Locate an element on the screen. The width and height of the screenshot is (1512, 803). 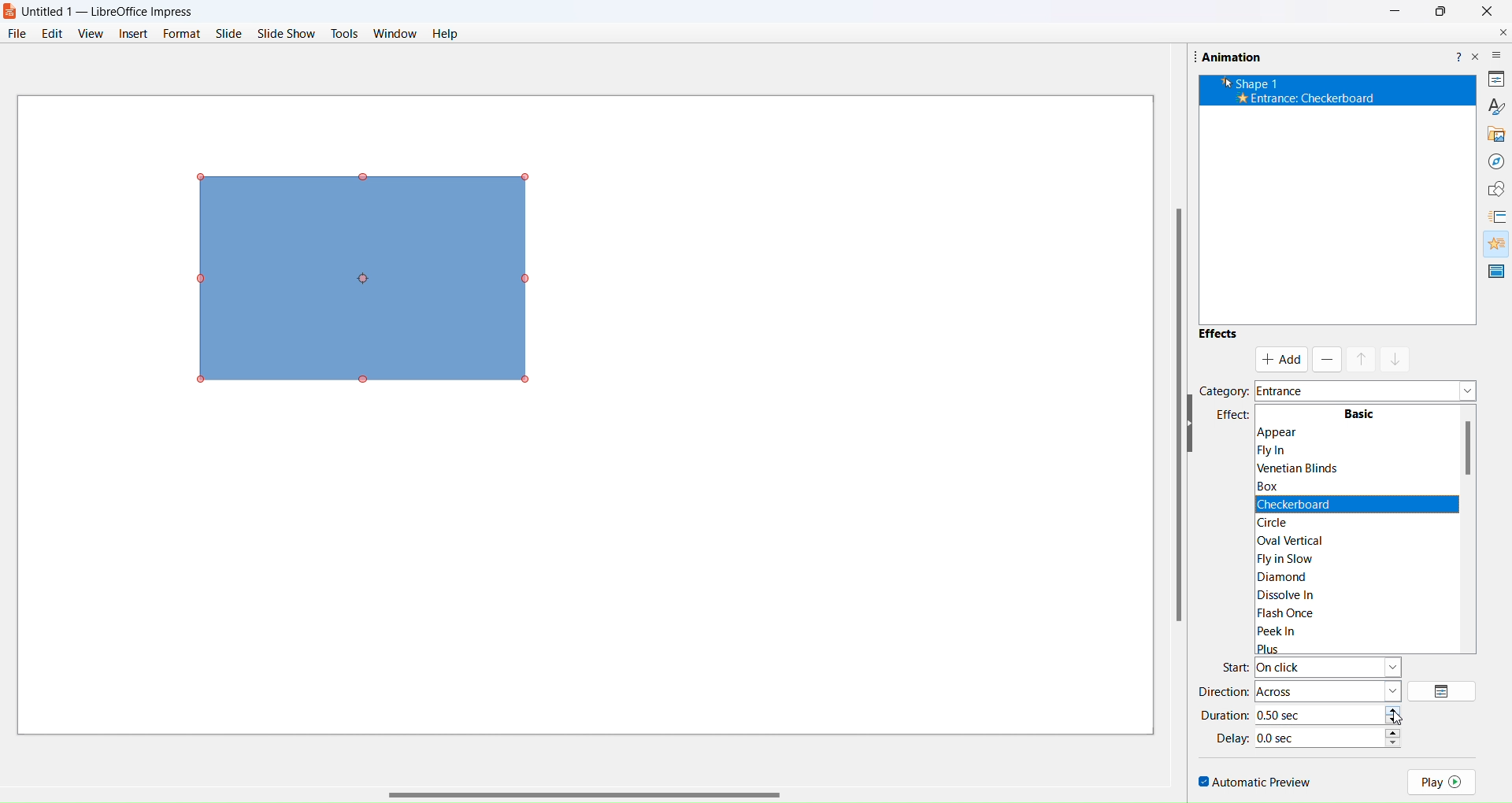
shapes is located at coordinates (1492, 187).